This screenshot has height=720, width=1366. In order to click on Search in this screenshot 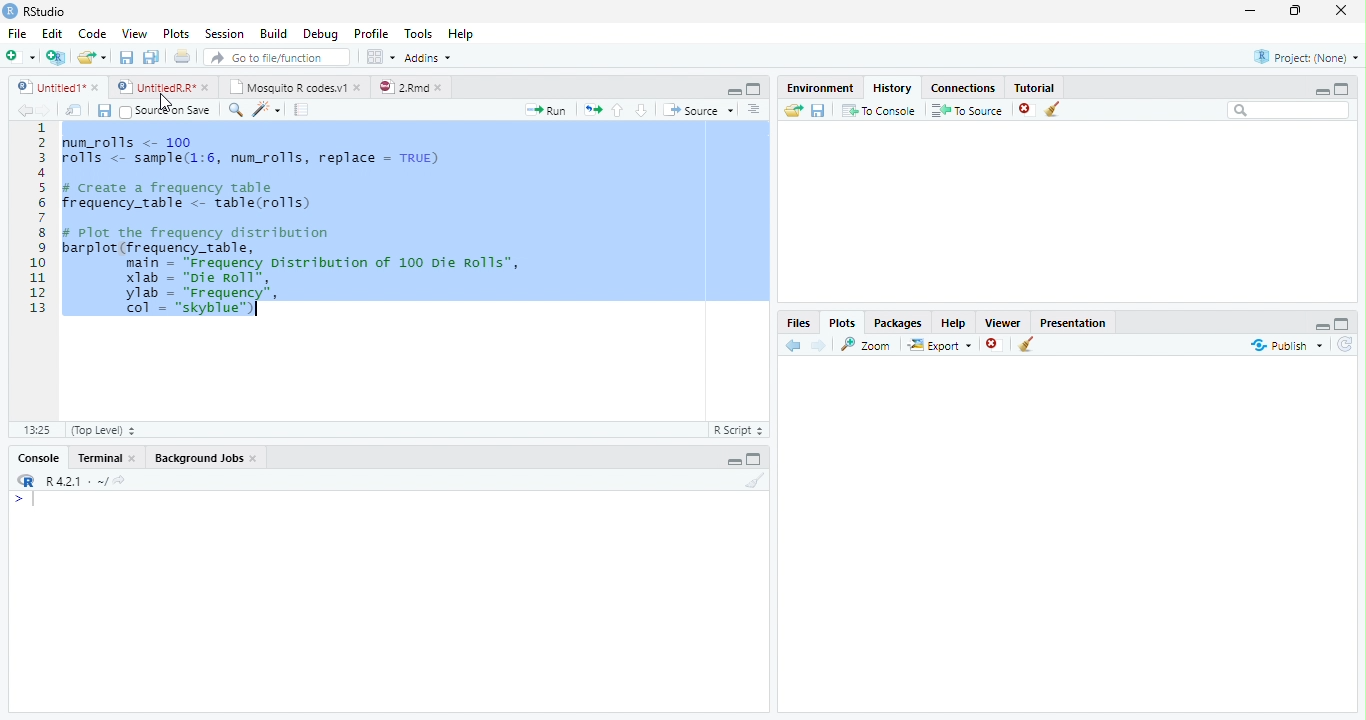, I will do `click(1287, 110)`.